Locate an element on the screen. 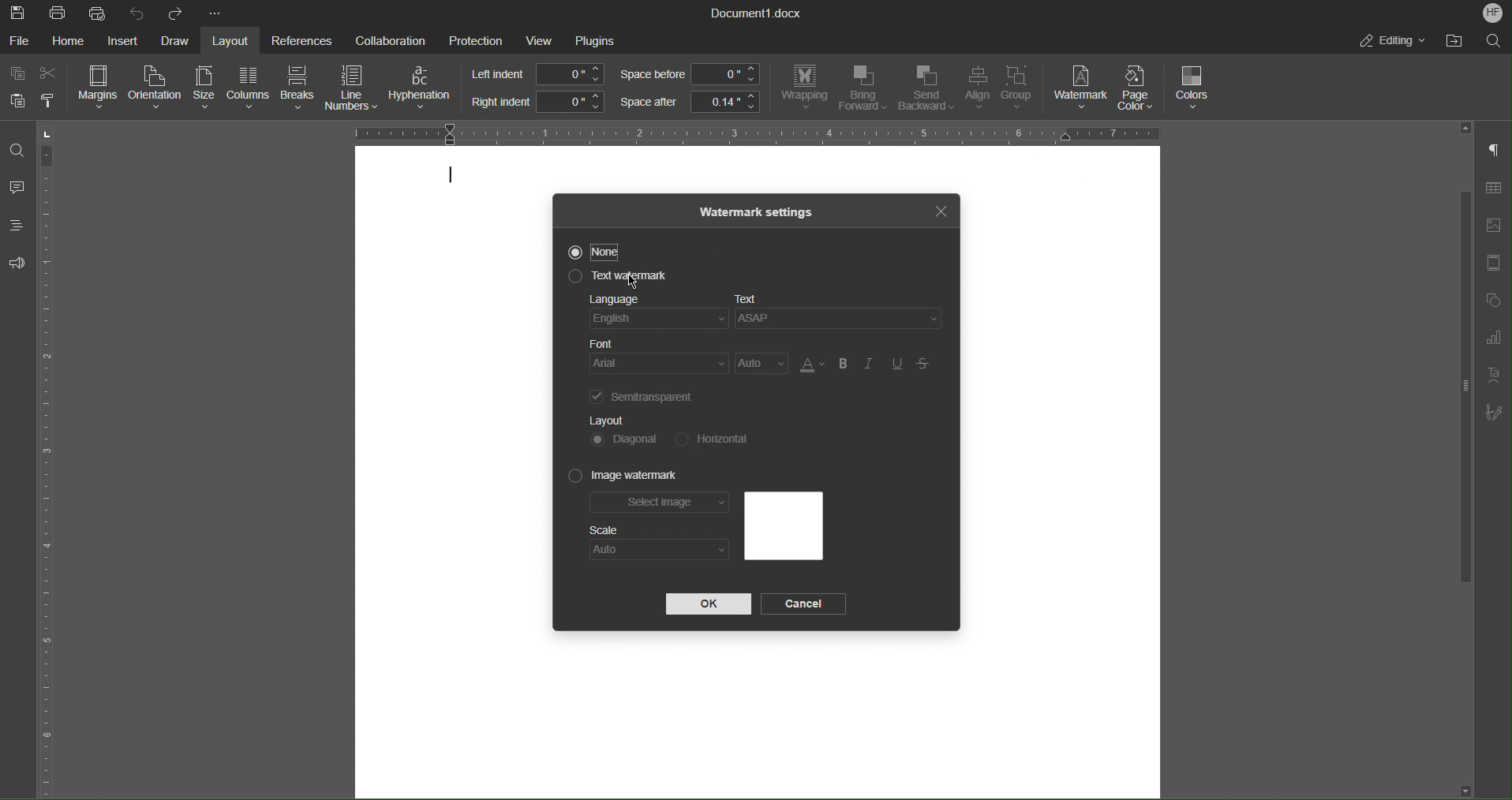 The image size is (1512, 800). Auto is located at coordinates (659, 550).